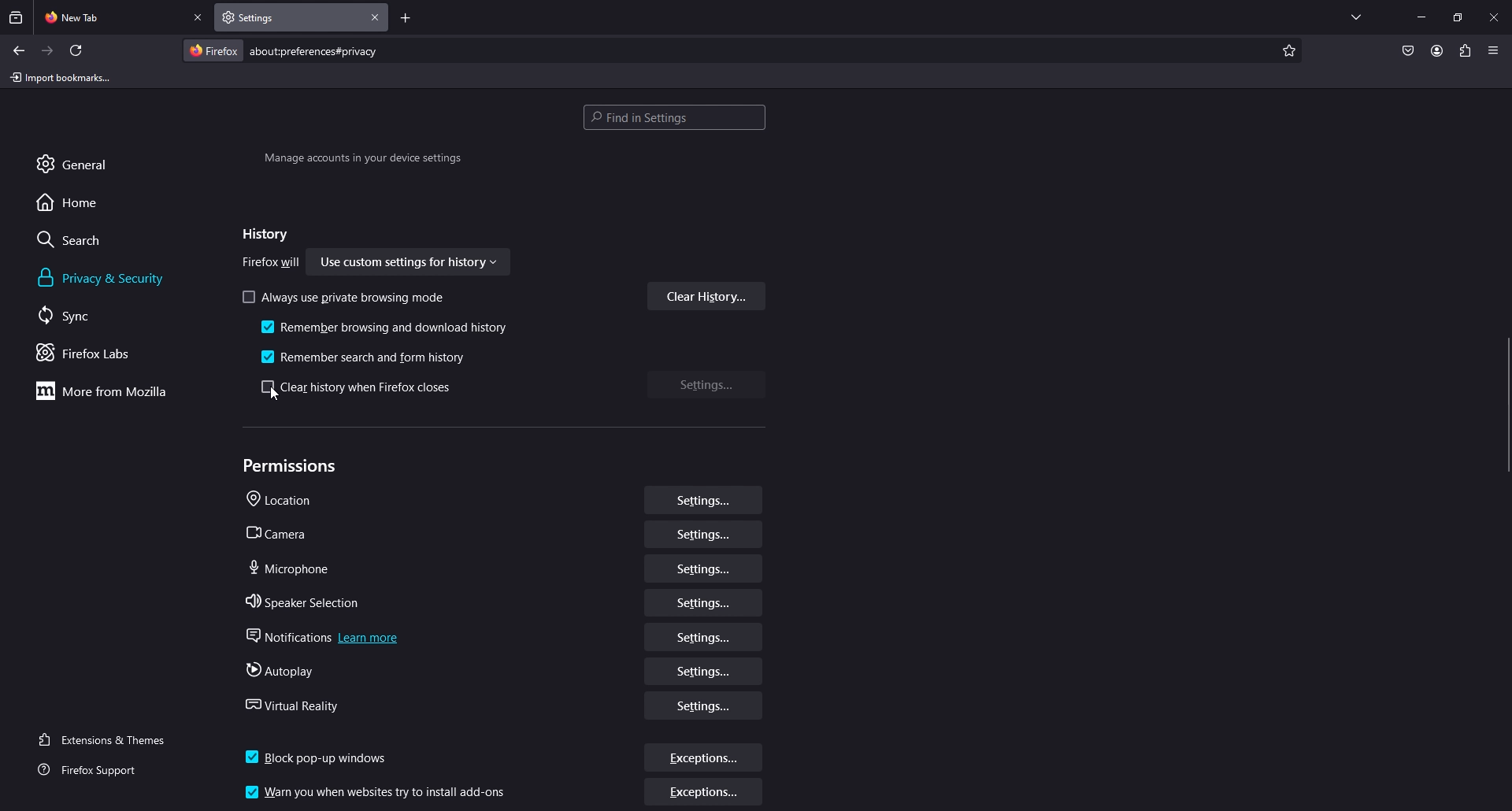  Describe the element at coordinates (269, 17) in the screenshot. I see `settings tab` at that location.